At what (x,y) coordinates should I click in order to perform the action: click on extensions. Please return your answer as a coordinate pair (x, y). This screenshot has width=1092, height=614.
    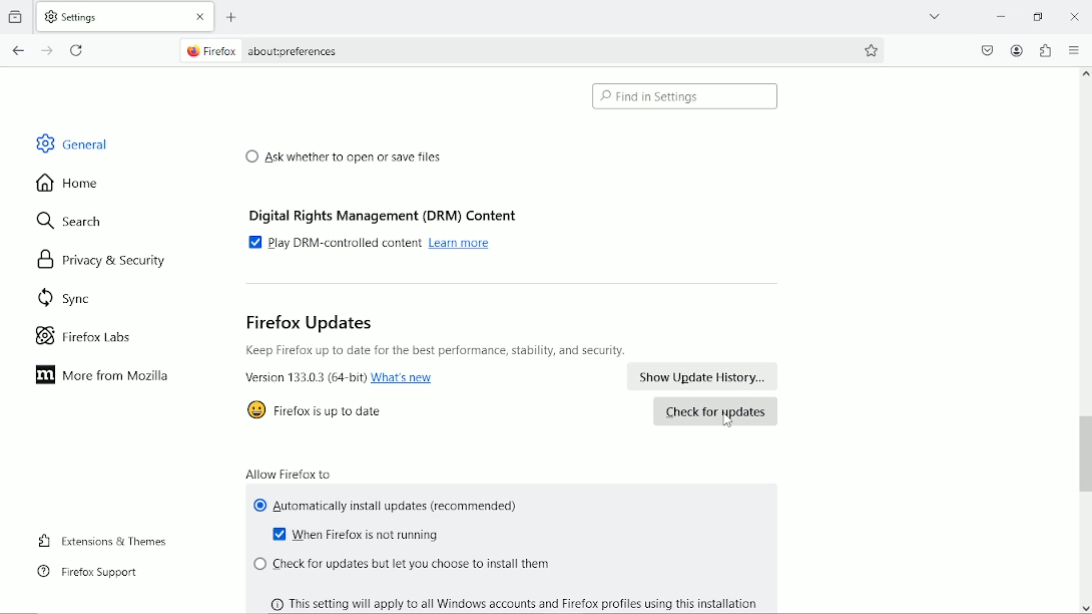
    Looking at the image, I should click on (1044, 50).